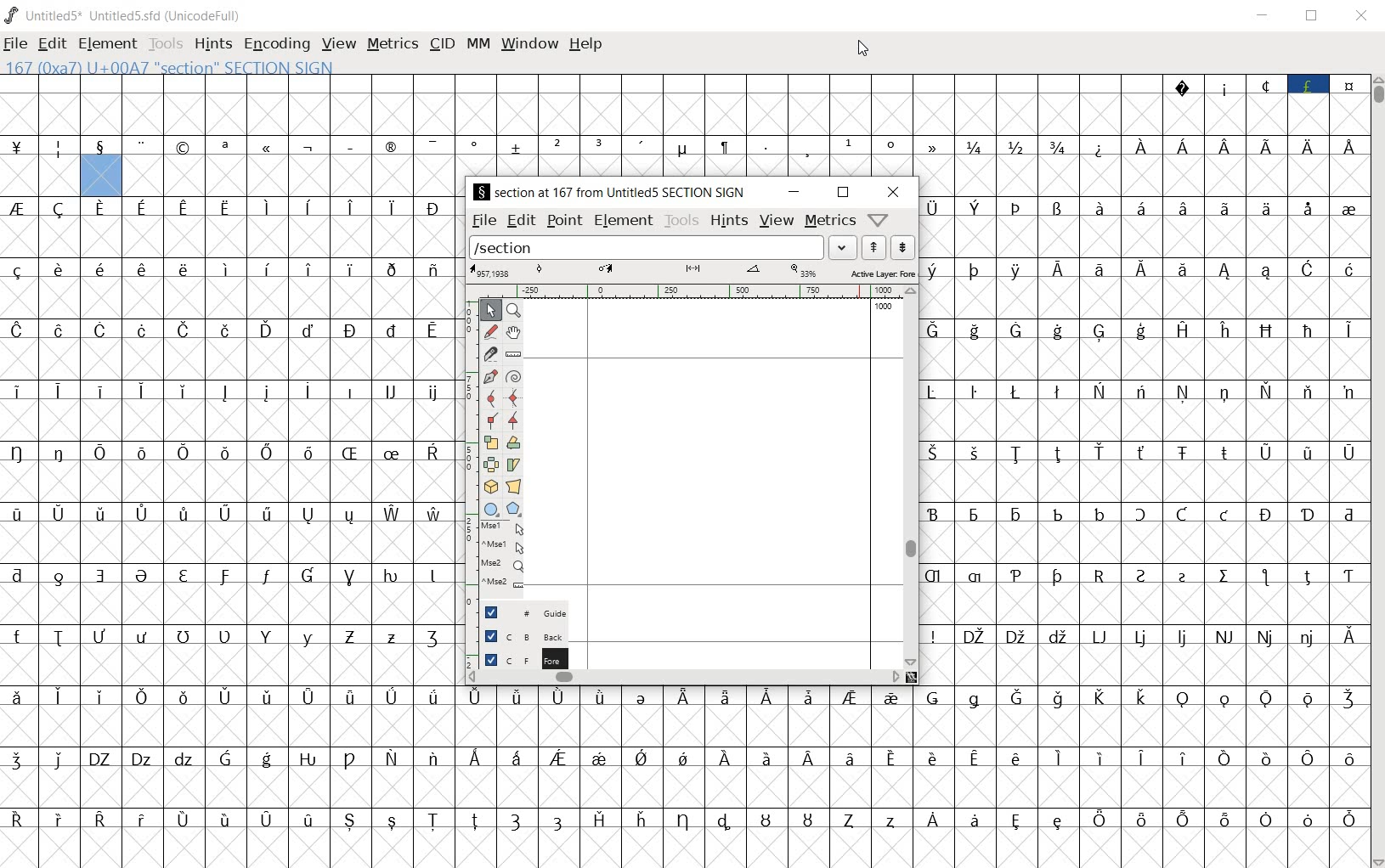 This screenshot has width=1385, height=868. Describe the element at coordinates (586, 44) in the screenshot. I see `help` at that location.